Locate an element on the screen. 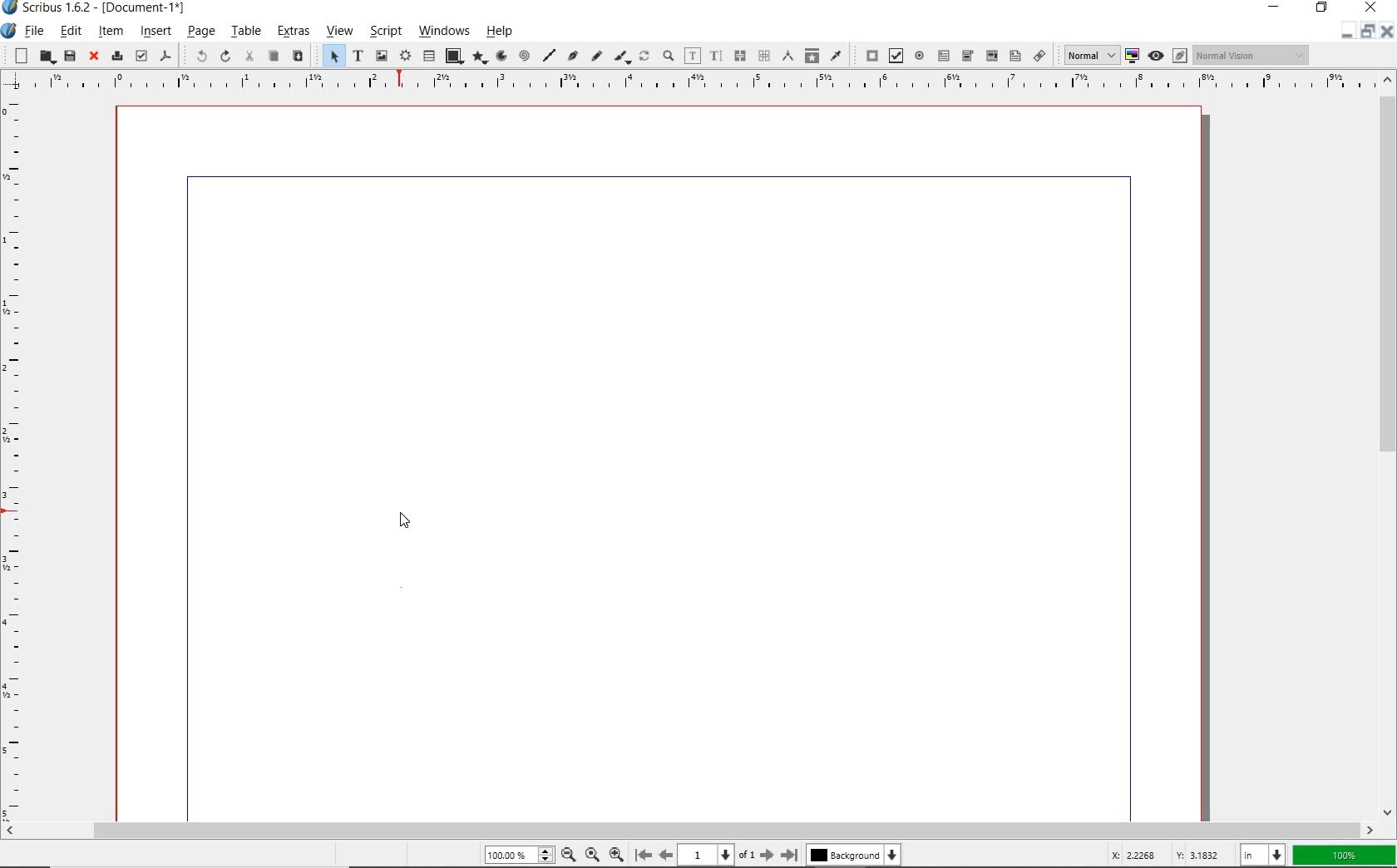 The width and height of the screenshot is (1397, 868). shape is located at coordinates (453, 57).